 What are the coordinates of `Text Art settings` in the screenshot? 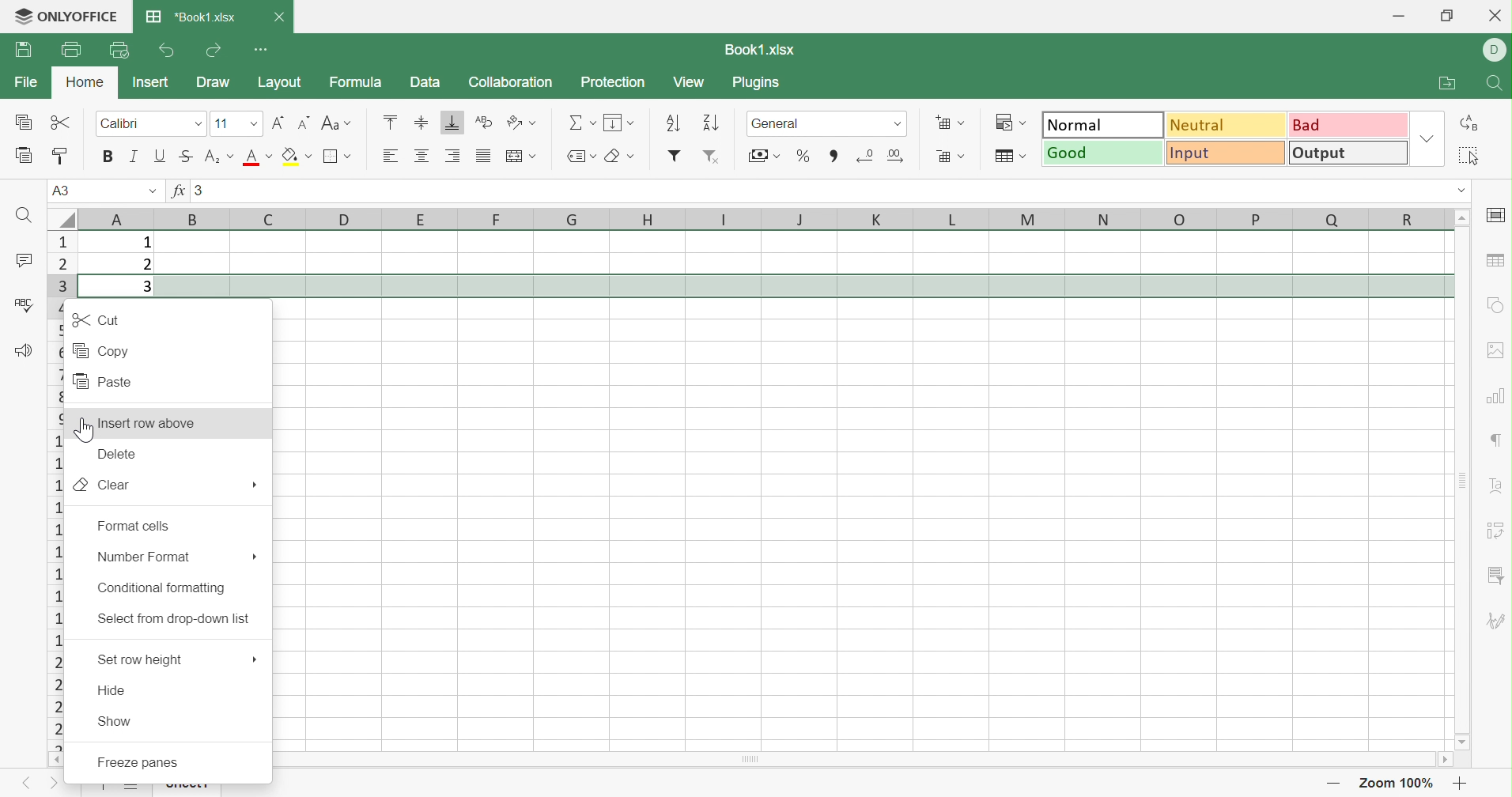 It's located at (1495, 487).